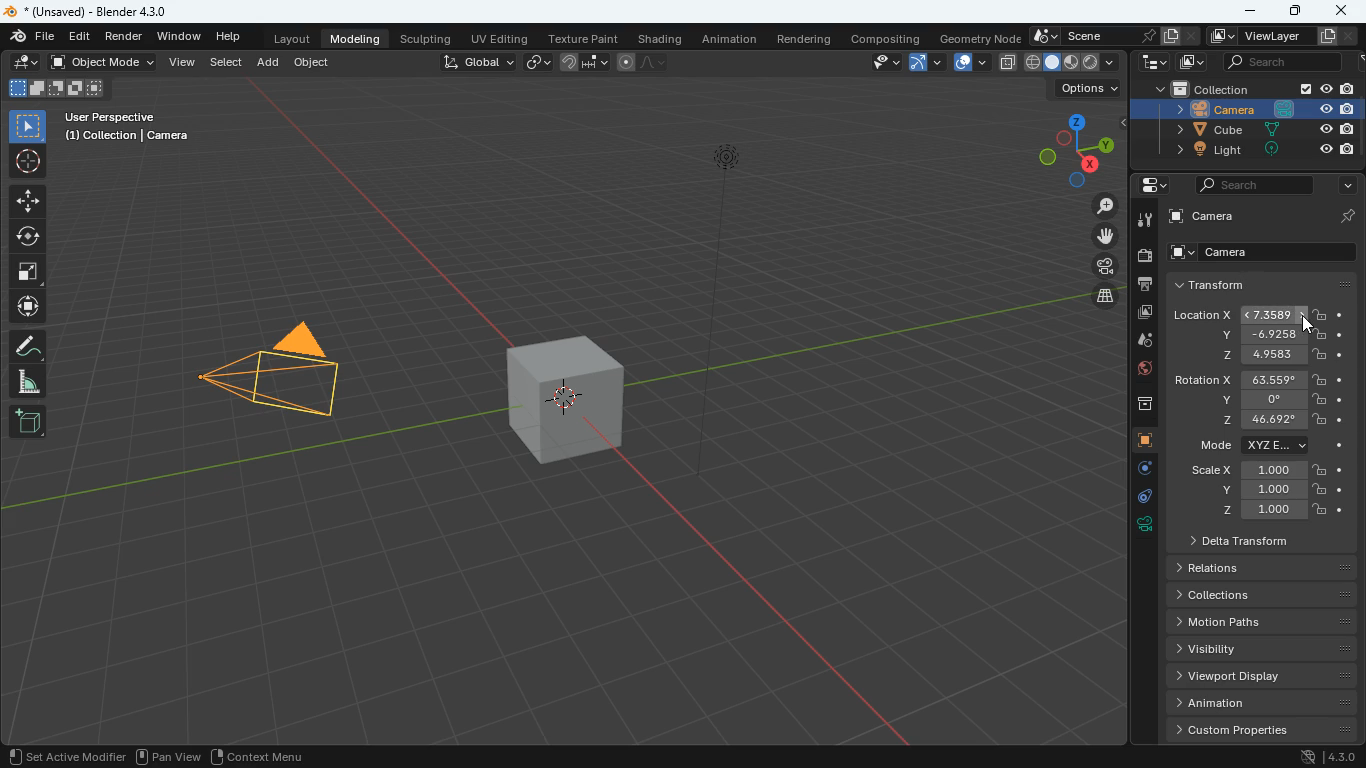 This screenshot has height=768, width=1366. Describe the element at coordinates (1188, 63) in the screenshot. I see `image` at that location.